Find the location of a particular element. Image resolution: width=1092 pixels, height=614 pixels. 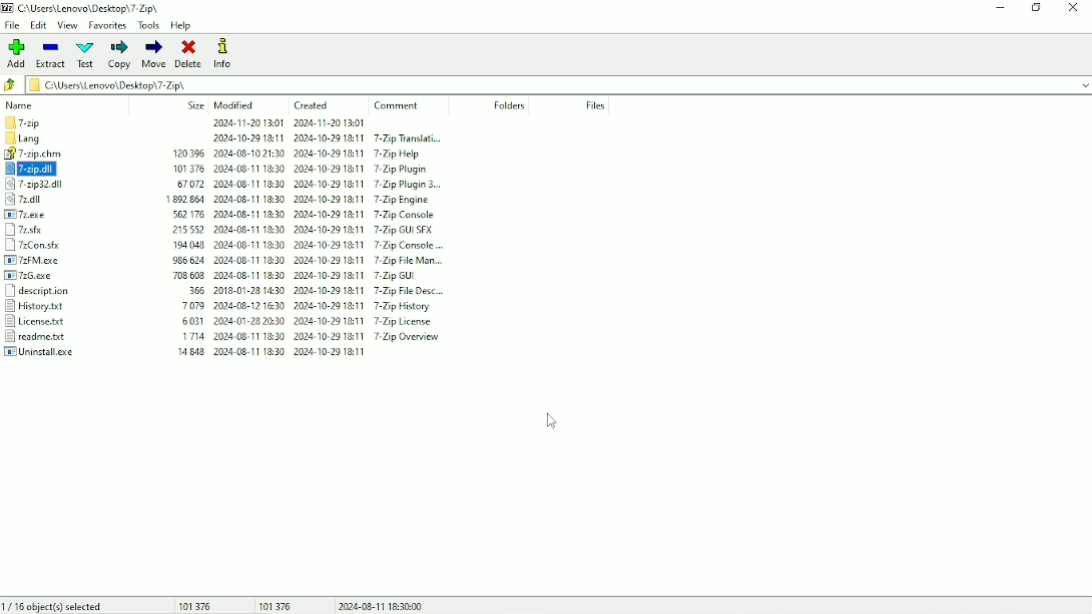

7z.sfx is located at coordinates (46, 231).